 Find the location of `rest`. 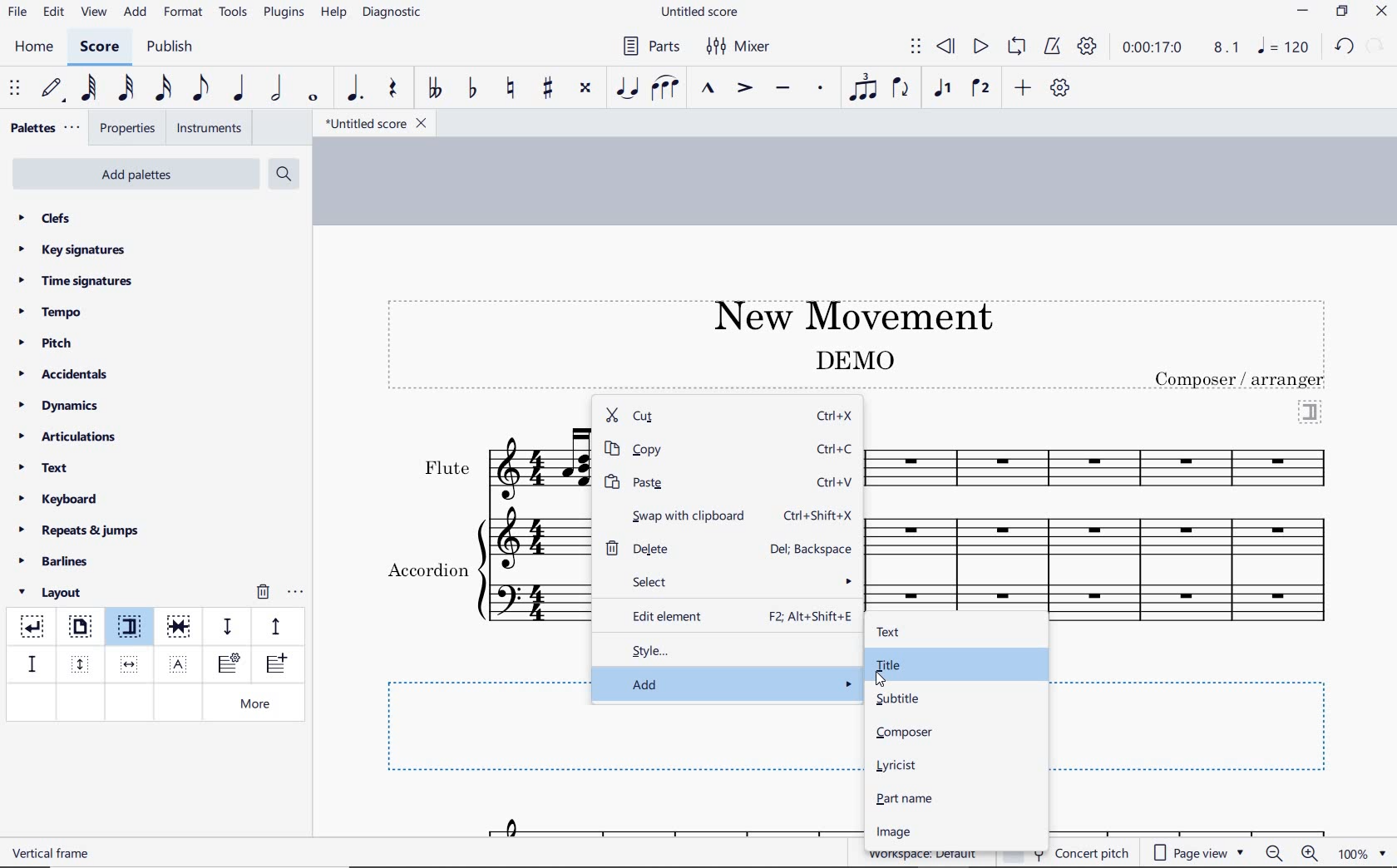

rest is located at coordinates (393, 90).